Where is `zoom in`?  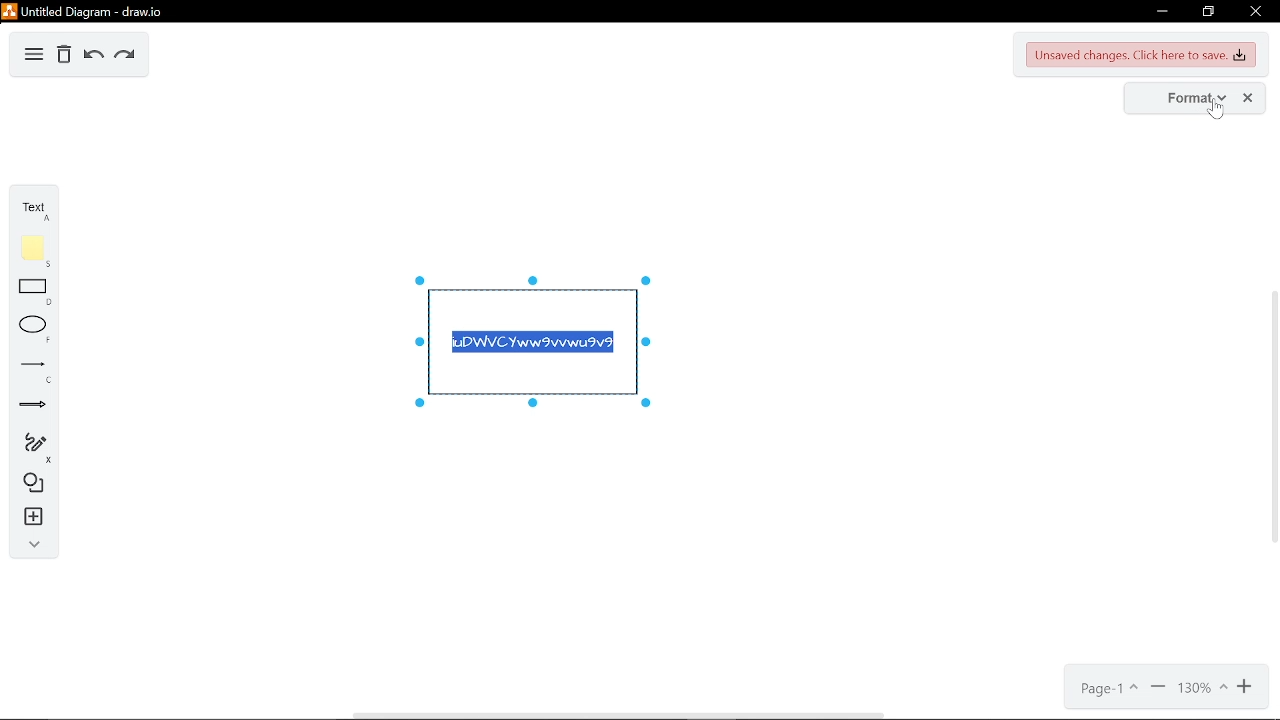 zoom in is located at coordinates (1242, 690).